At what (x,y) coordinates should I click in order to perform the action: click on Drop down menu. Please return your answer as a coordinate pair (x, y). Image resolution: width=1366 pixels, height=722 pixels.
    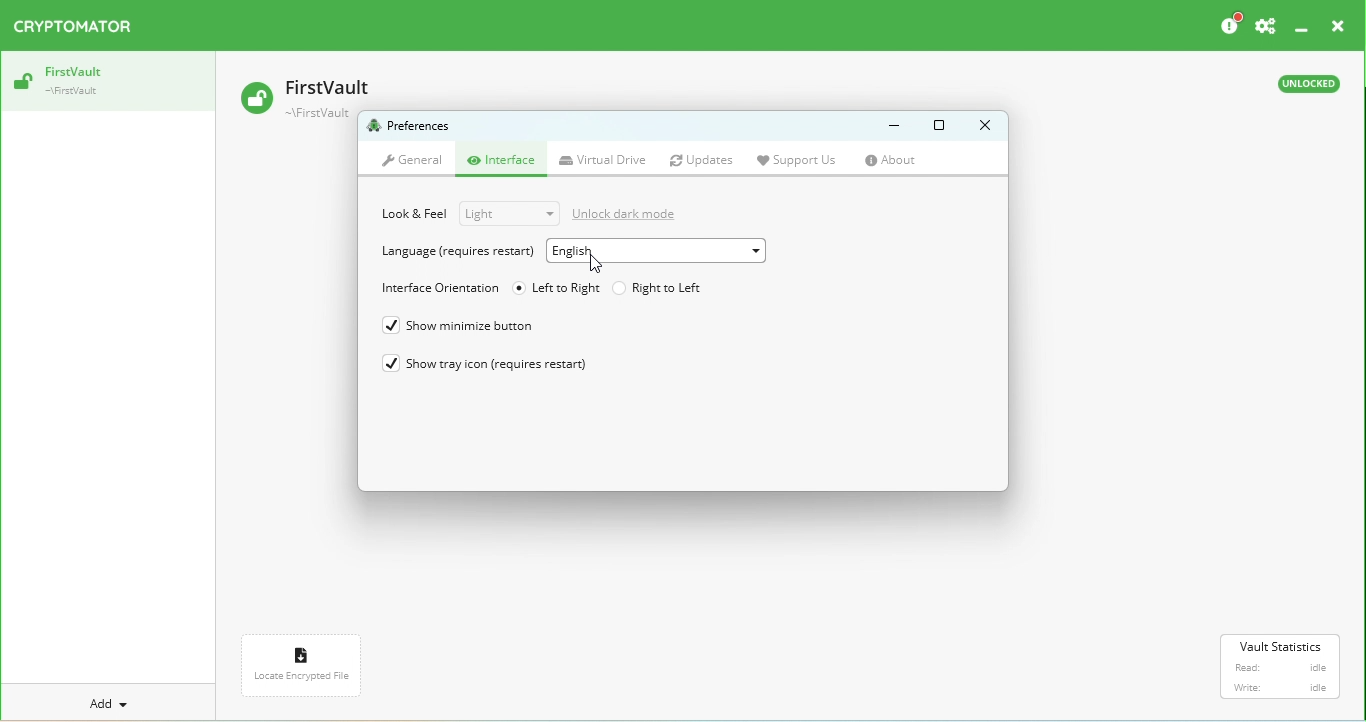
    Looking at the image, I should click on (654, 250).